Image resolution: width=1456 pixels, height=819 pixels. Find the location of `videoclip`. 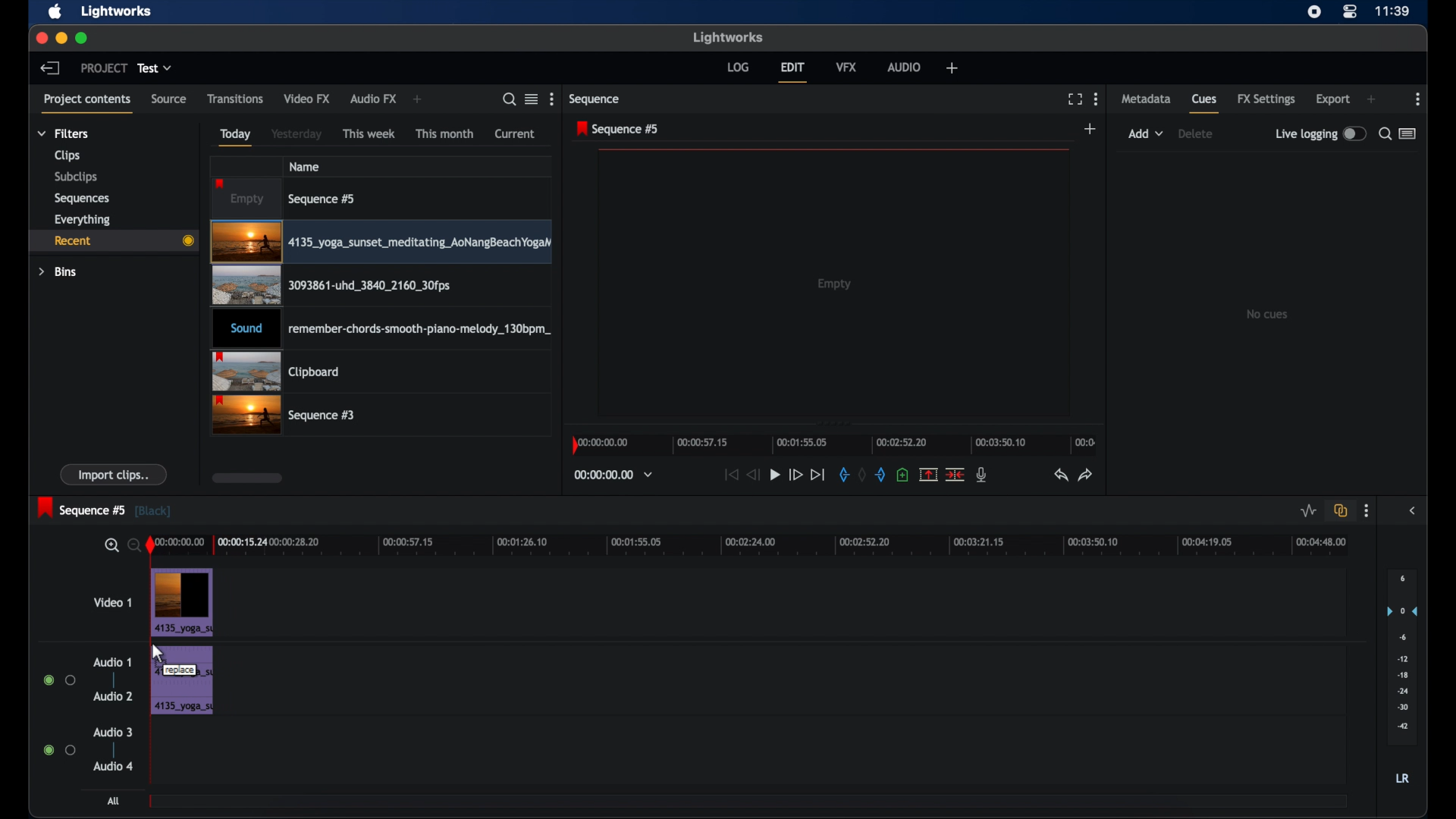

videoclip is located at coordinates (382, 286).